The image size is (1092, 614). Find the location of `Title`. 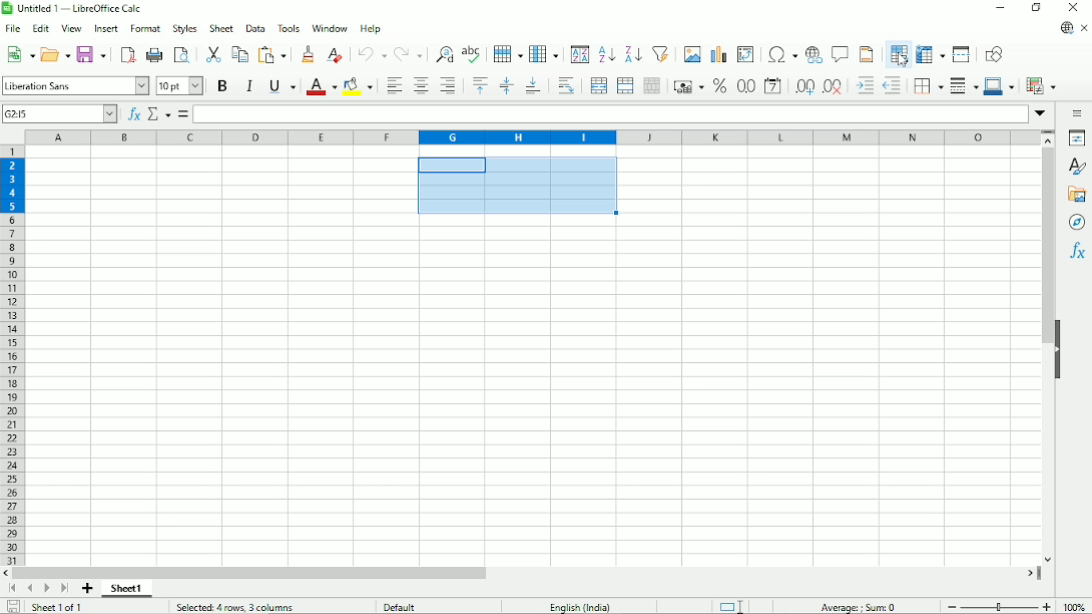

Title is located at coordinates (76, 9).